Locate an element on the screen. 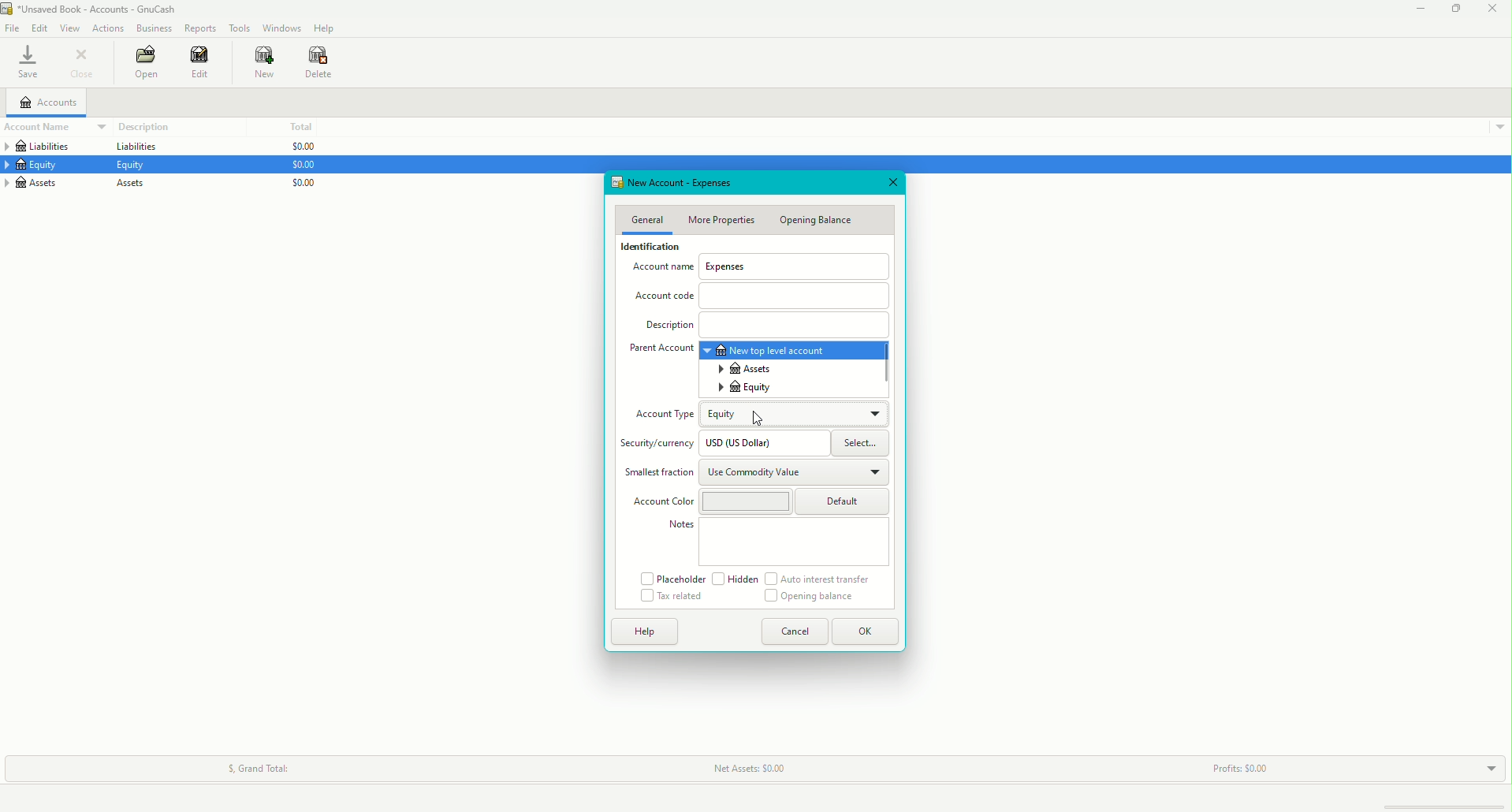 This screenshot has height=812, width=1512. Hidden is located at coordinates (736, 579).